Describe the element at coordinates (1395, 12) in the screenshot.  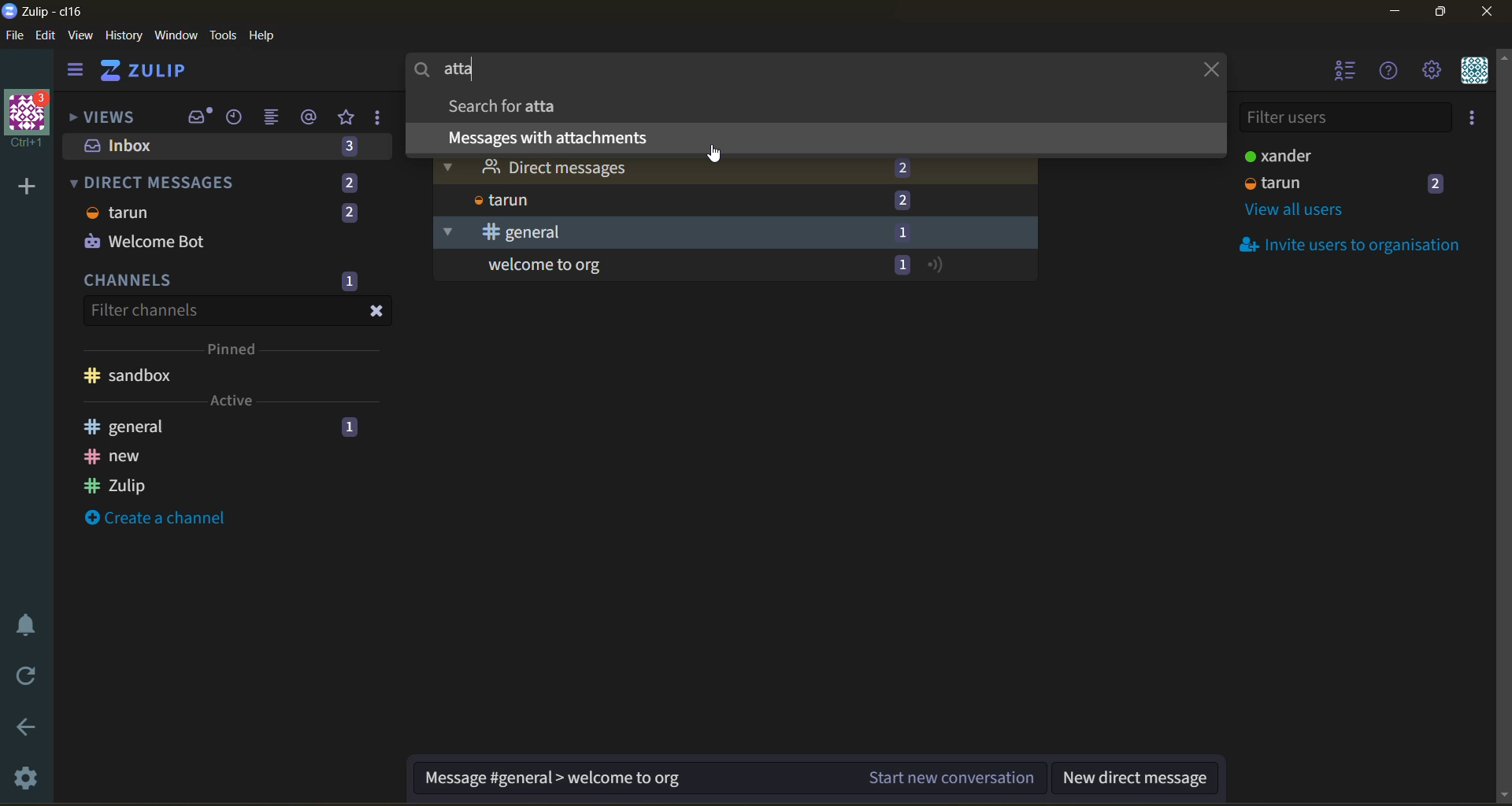
I see `minimize` at that location.